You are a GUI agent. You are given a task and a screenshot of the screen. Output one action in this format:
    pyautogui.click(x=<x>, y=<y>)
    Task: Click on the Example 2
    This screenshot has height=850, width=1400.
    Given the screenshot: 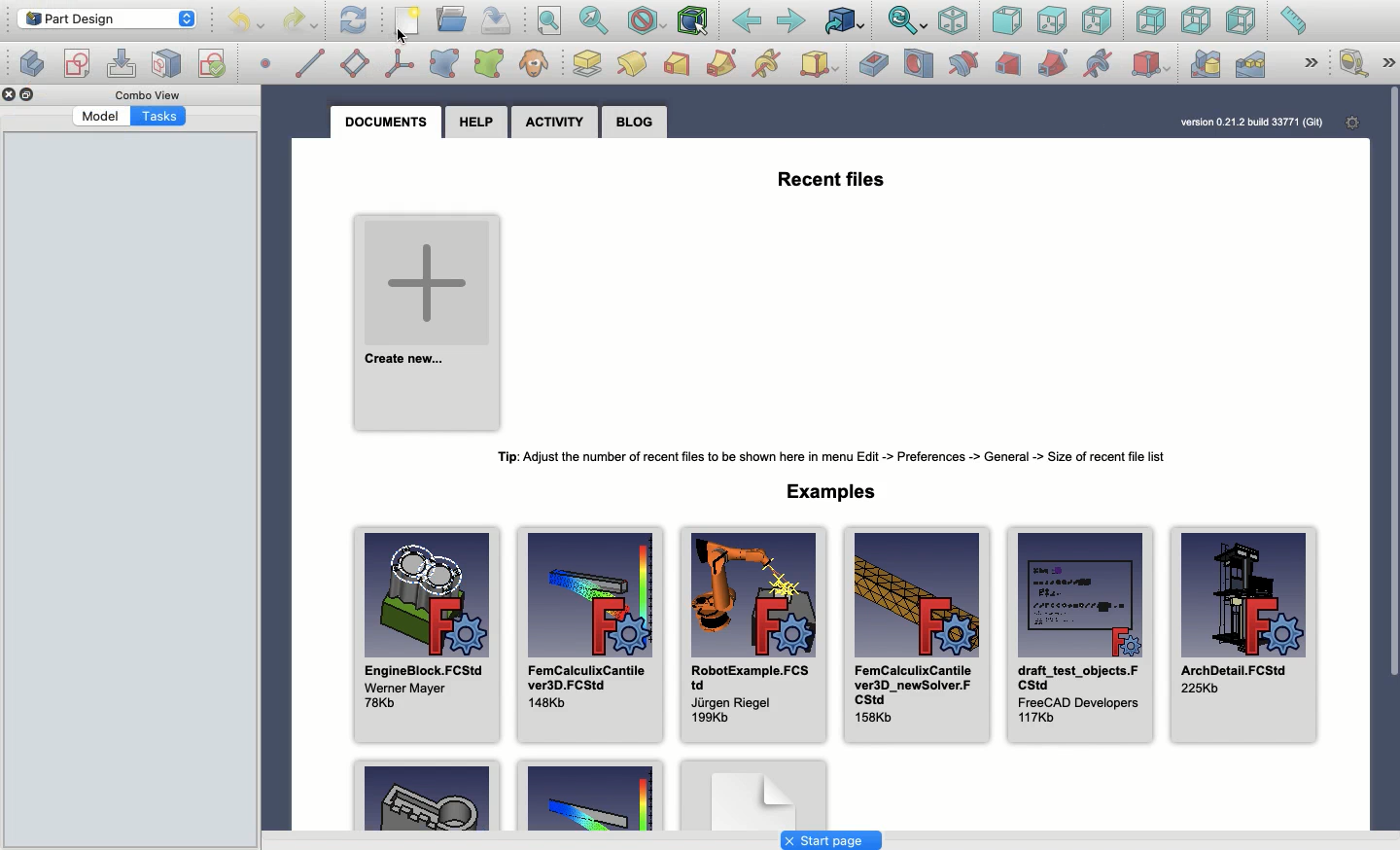 What is the action you would take?
    pyautogui.click(x=592, y=795)
    